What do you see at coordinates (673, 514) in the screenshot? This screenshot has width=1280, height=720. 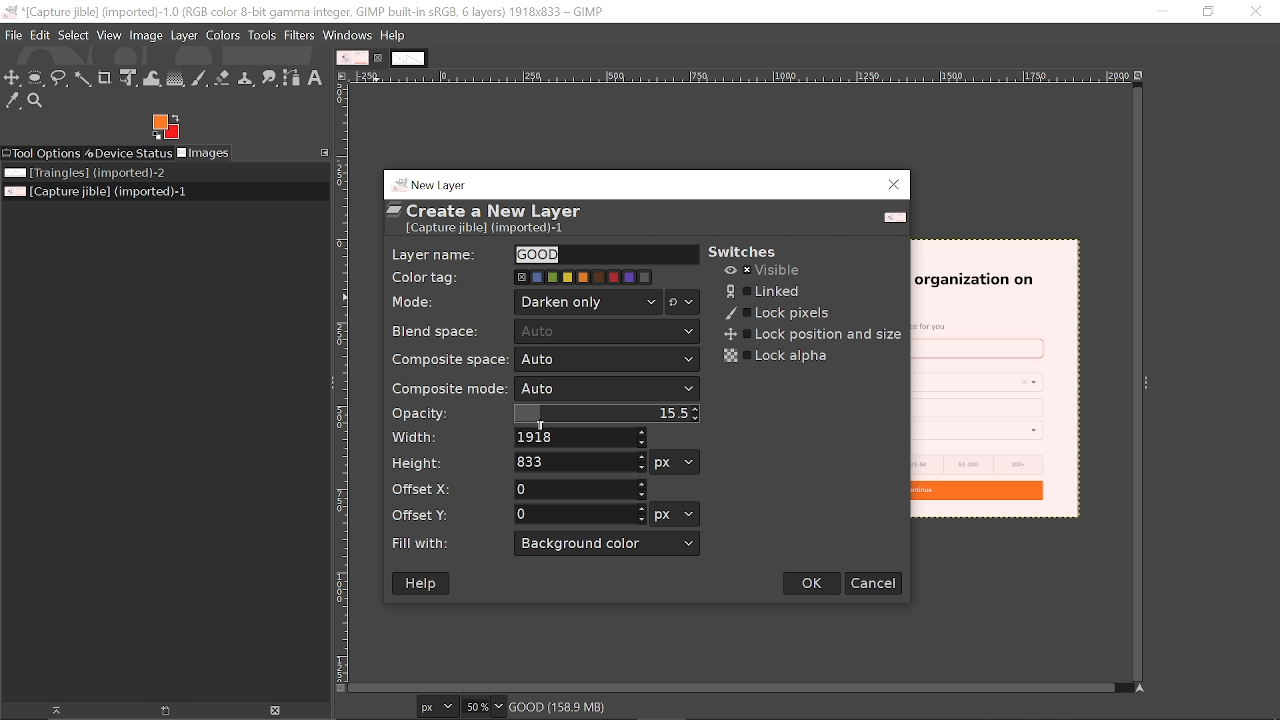 I see `Offset units` at bounding box center [673, 514].